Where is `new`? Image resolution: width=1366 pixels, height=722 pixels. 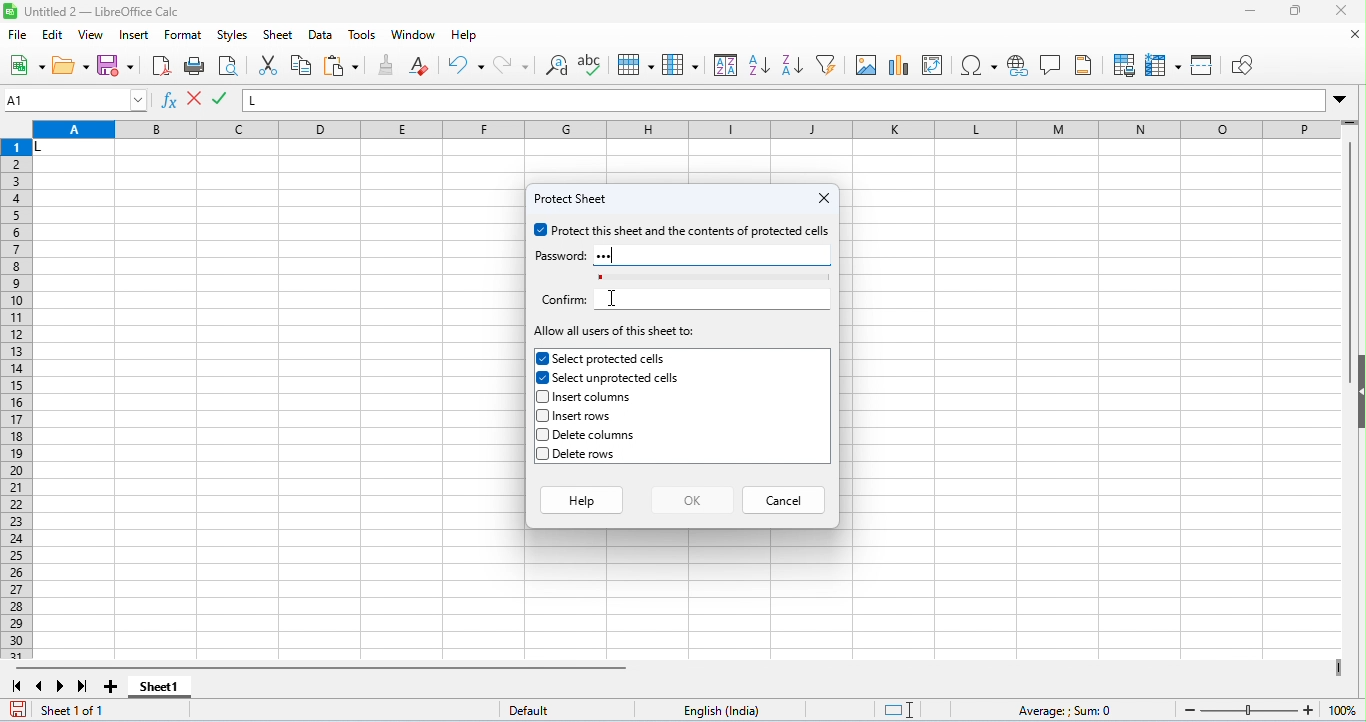 new is located at coordinates (27, 67).